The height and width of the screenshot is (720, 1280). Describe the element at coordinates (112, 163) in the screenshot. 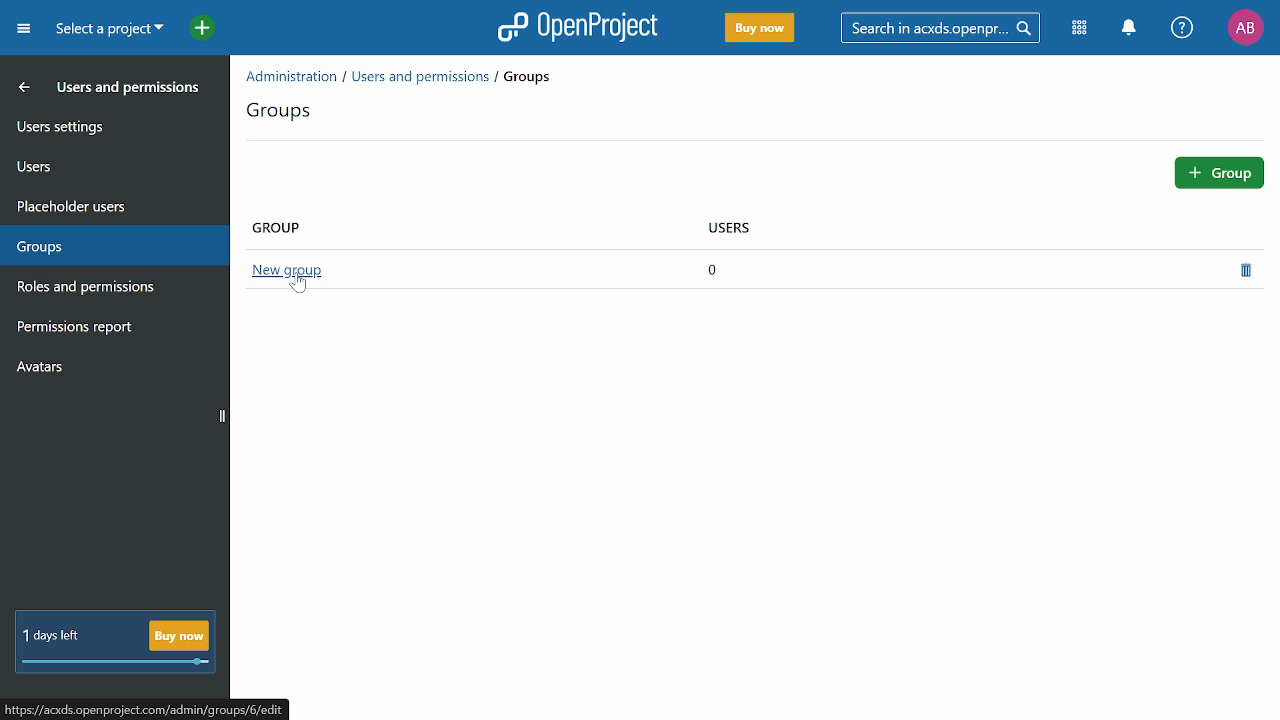

I see `Users` at that location.